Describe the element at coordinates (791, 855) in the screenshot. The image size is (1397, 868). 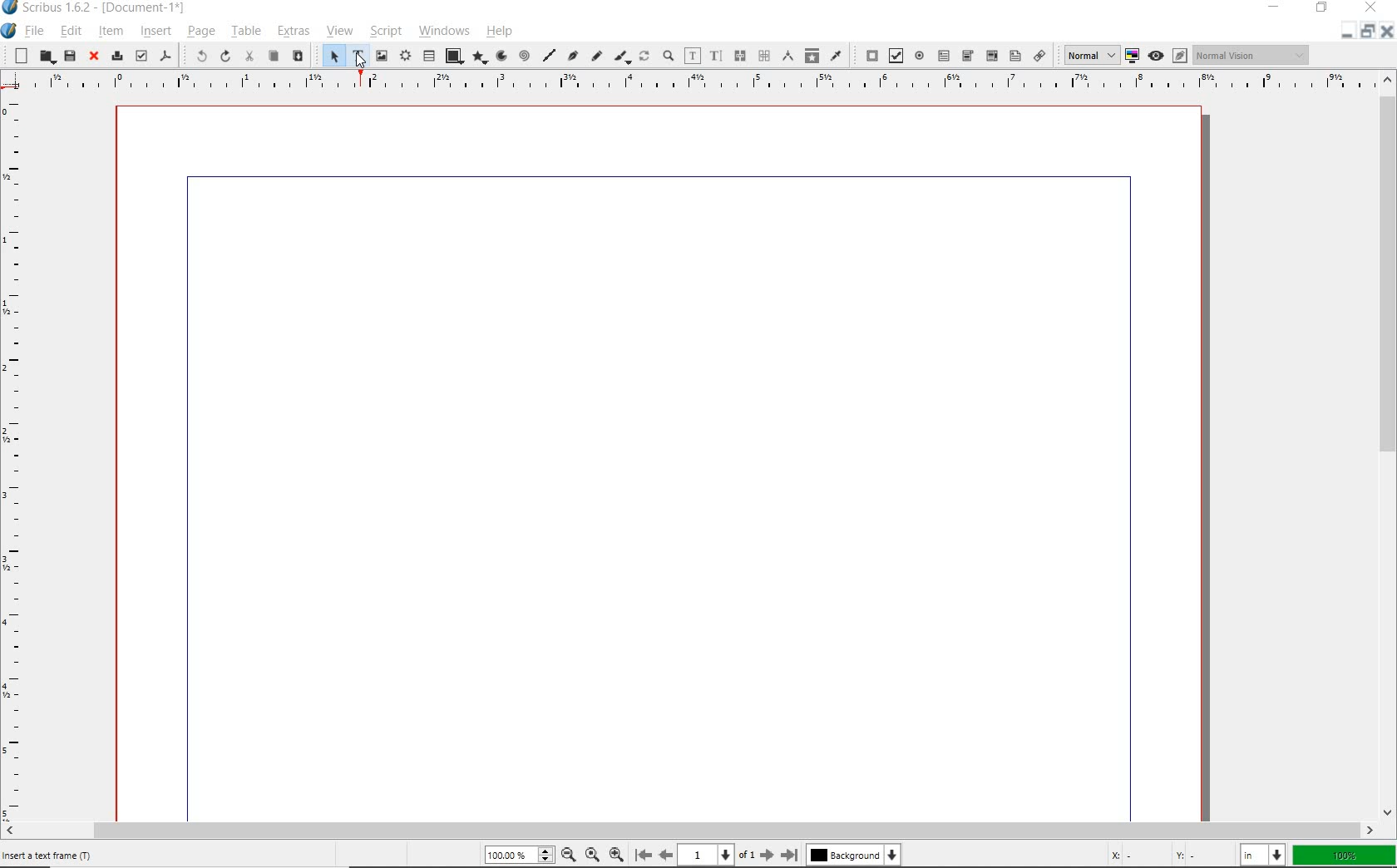
I see `Last Page` at that location.